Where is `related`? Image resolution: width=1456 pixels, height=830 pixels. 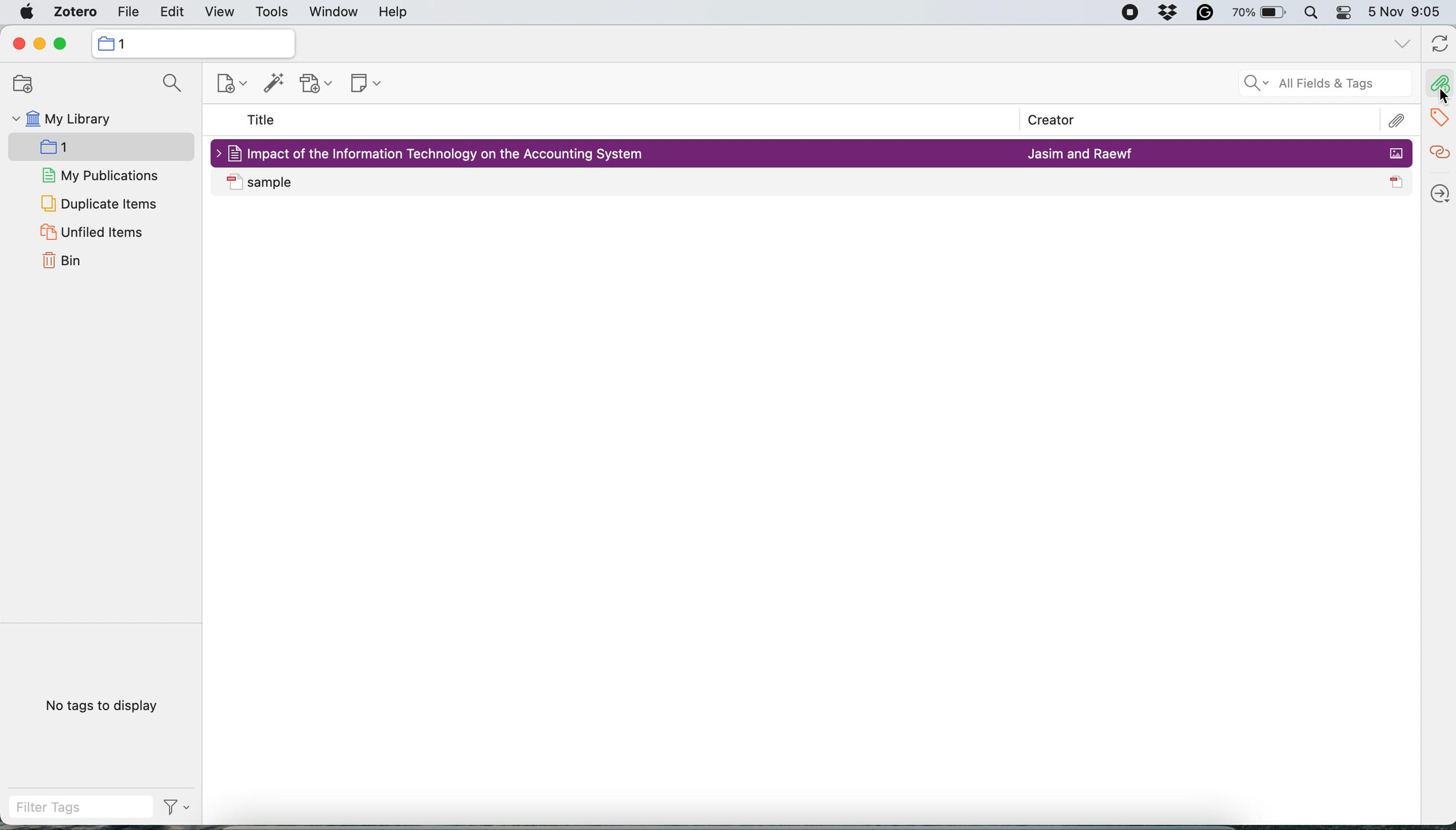 related is located at coordinates (1438, 150).